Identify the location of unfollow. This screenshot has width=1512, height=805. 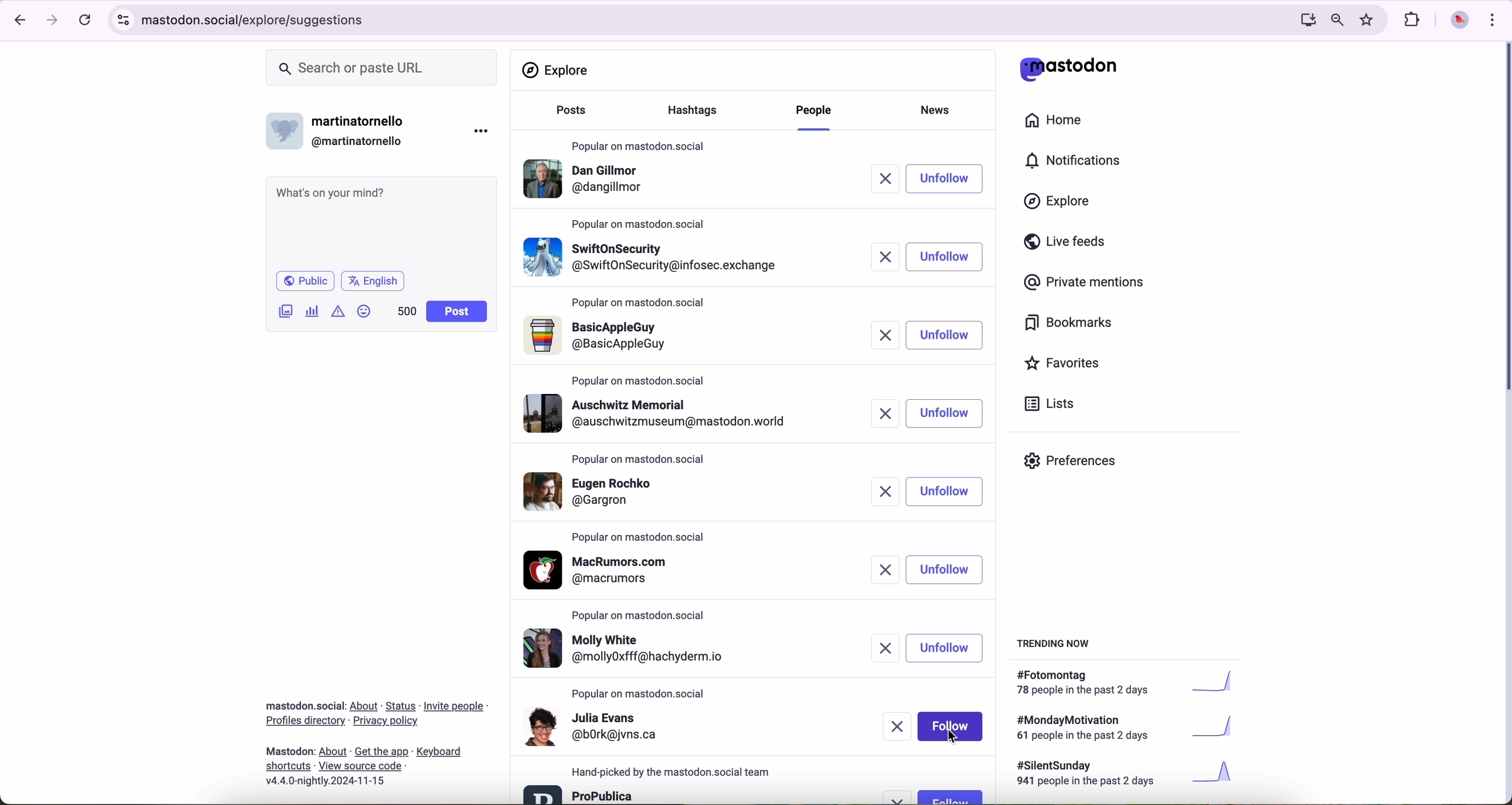
(947, 570).